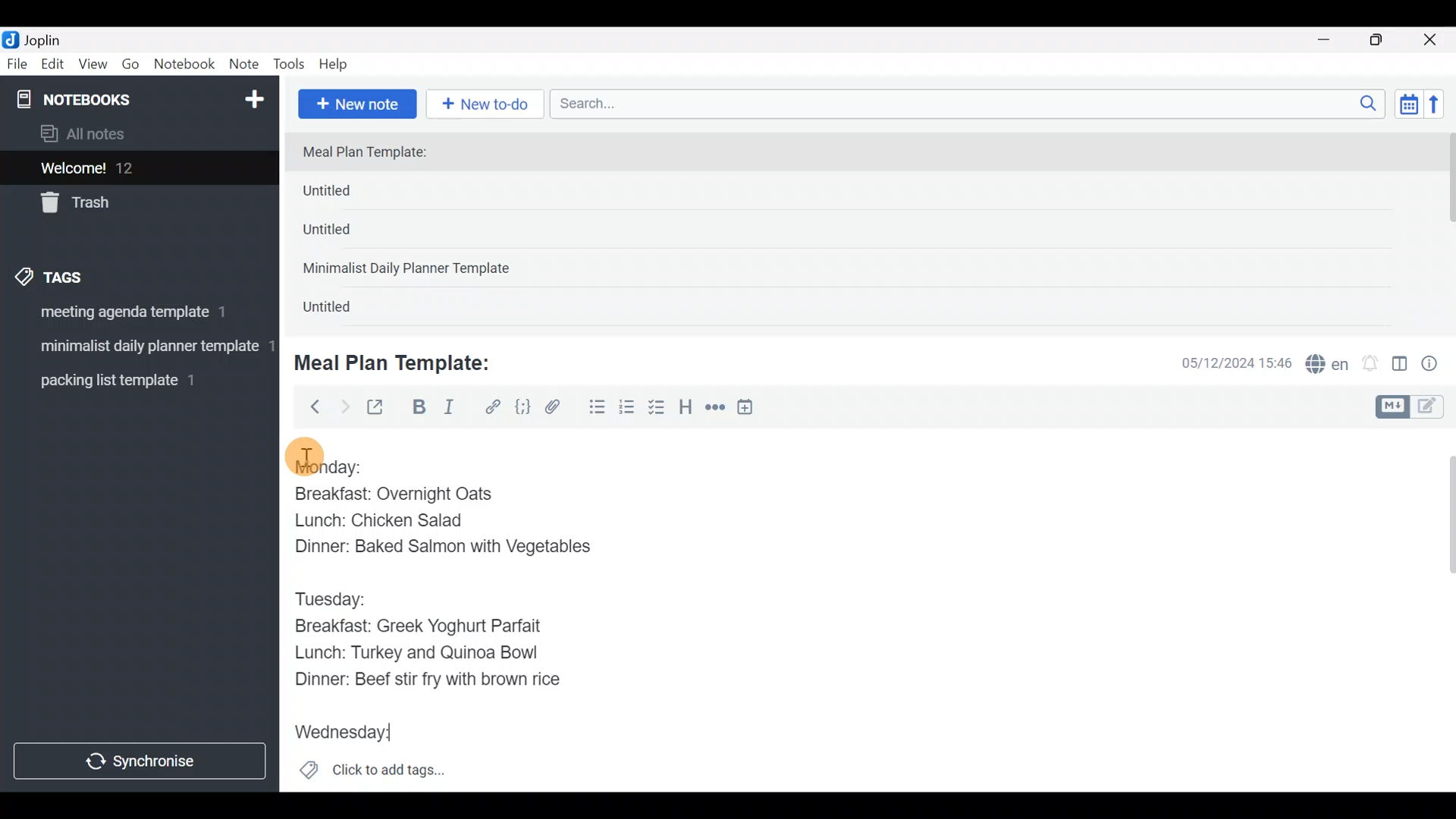  What do you see at coordinates (493, 407) in the screenshot?
I see `Hyperlink` at bounding box center [493, 407].